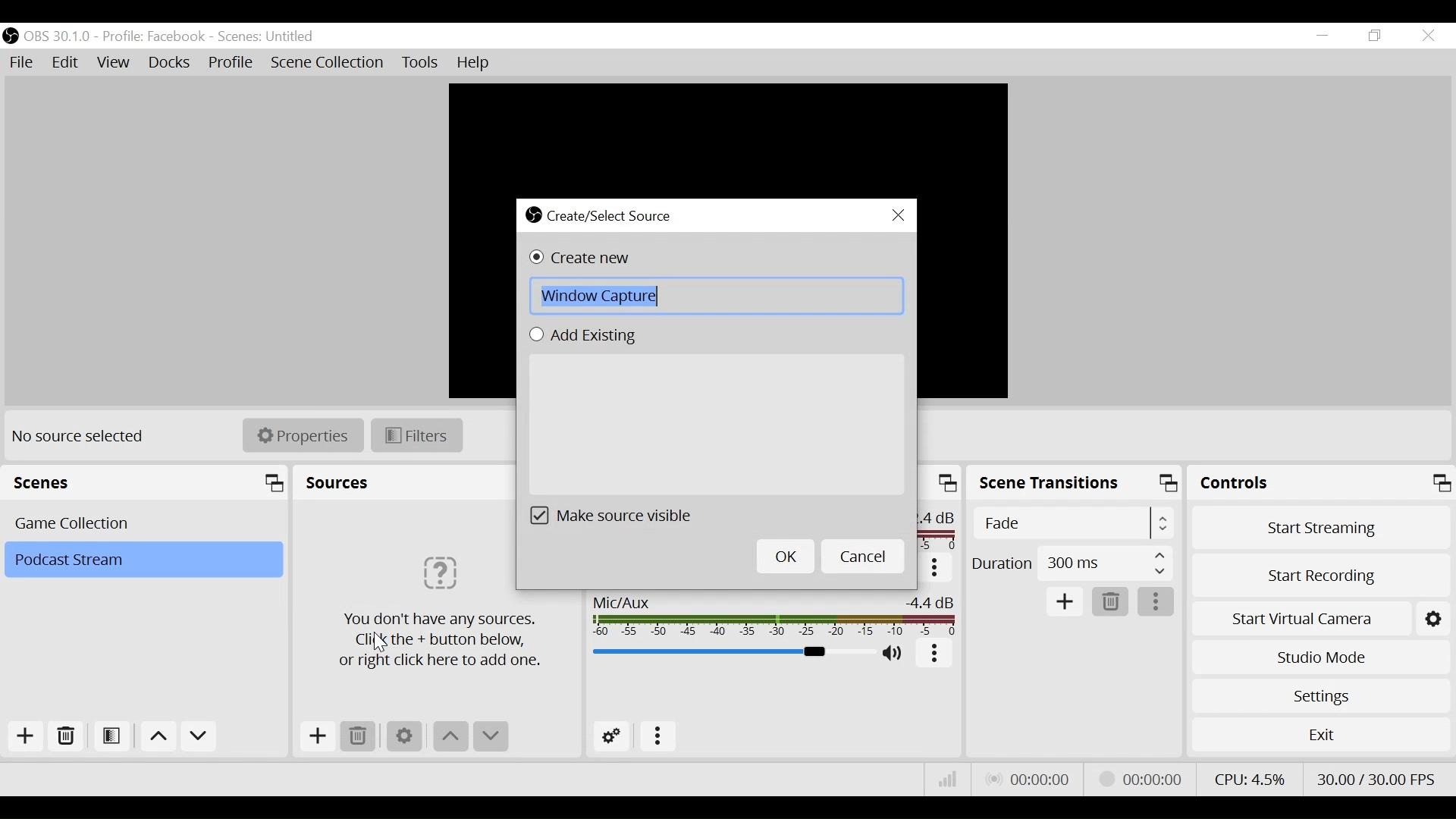 This screenshot has width=1456, height=819. Describe the element at coordinates (1321, 736) in the screenshot. I see `Exit` at that location.